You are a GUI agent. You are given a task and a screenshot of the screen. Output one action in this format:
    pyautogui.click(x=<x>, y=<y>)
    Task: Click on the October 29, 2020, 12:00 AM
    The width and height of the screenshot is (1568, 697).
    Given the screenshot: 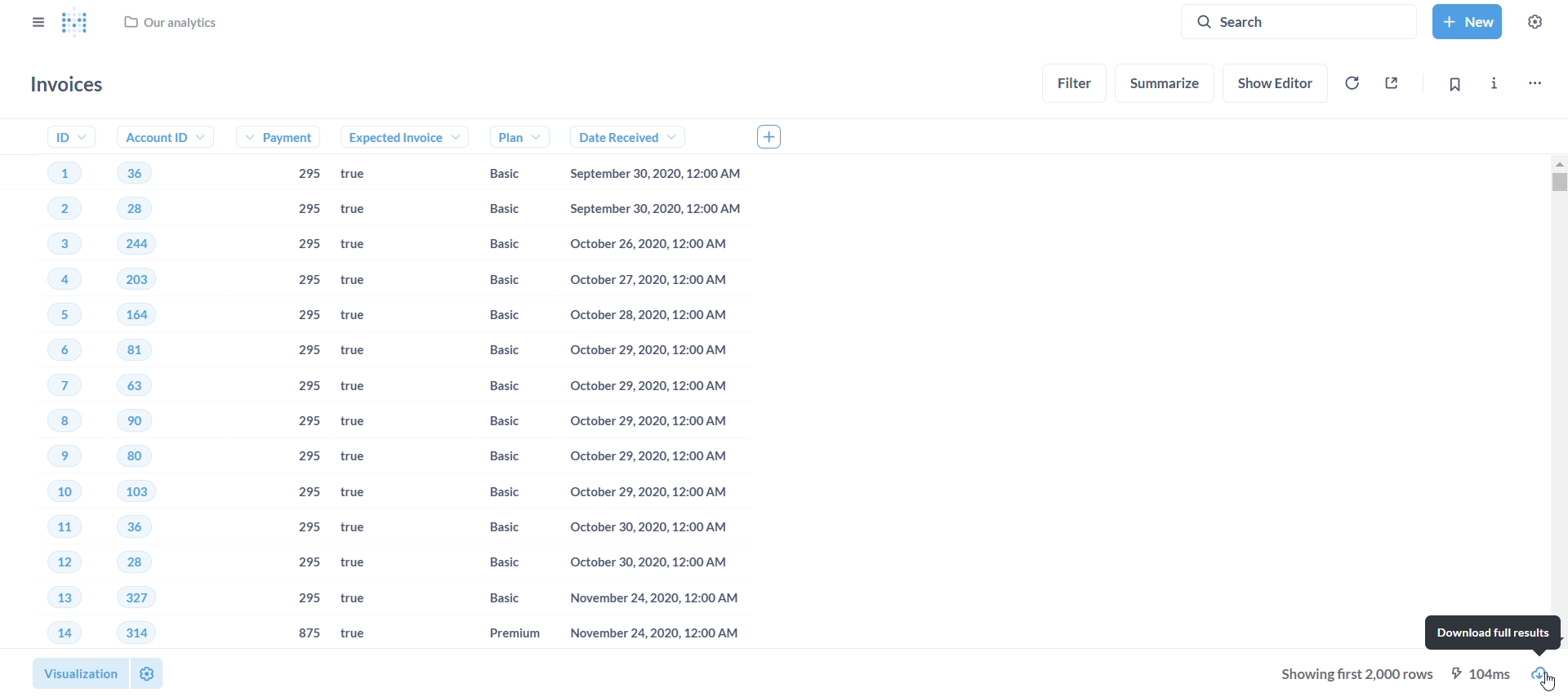 What is the action you would take?
    pyautogui.click(x=645, y=455)
    